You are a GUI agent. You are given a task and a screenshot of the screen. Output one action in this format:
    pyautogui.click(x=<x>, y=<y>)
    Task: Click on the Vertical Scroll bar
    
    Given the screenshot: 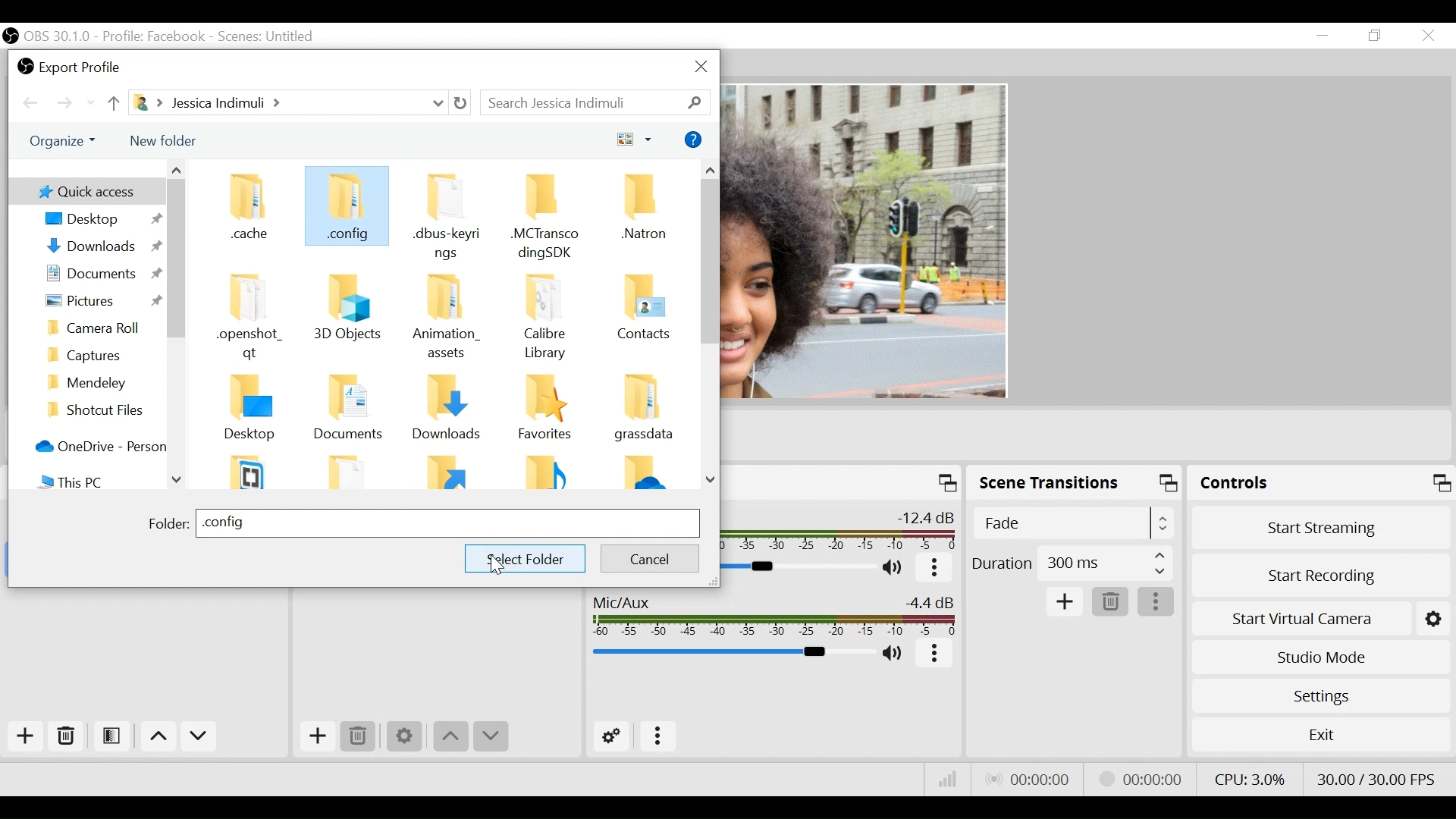 What is the action you would take?
    pyautogui.click(x=709, y=262)
    